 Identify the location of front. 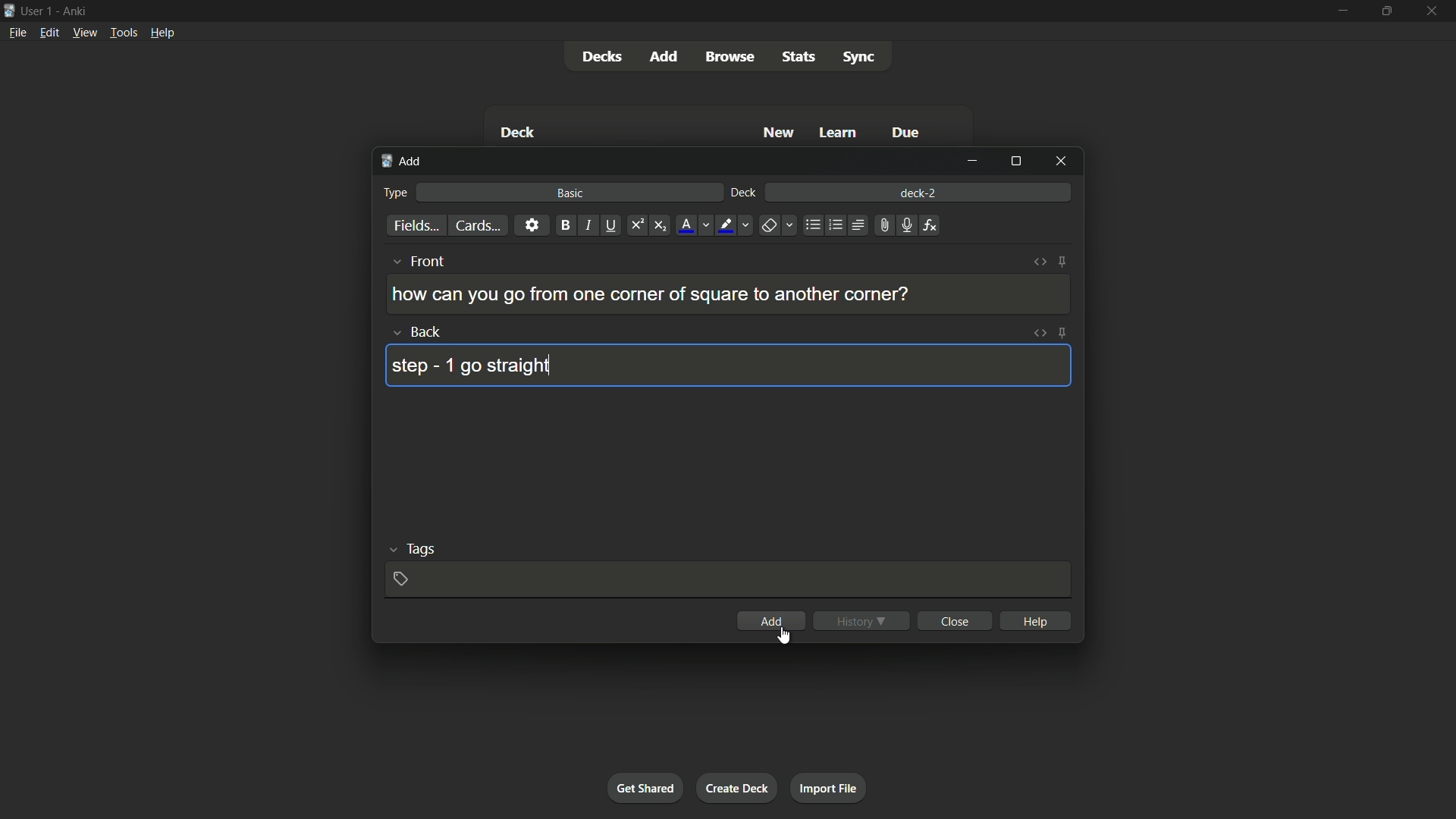
(416, 261).